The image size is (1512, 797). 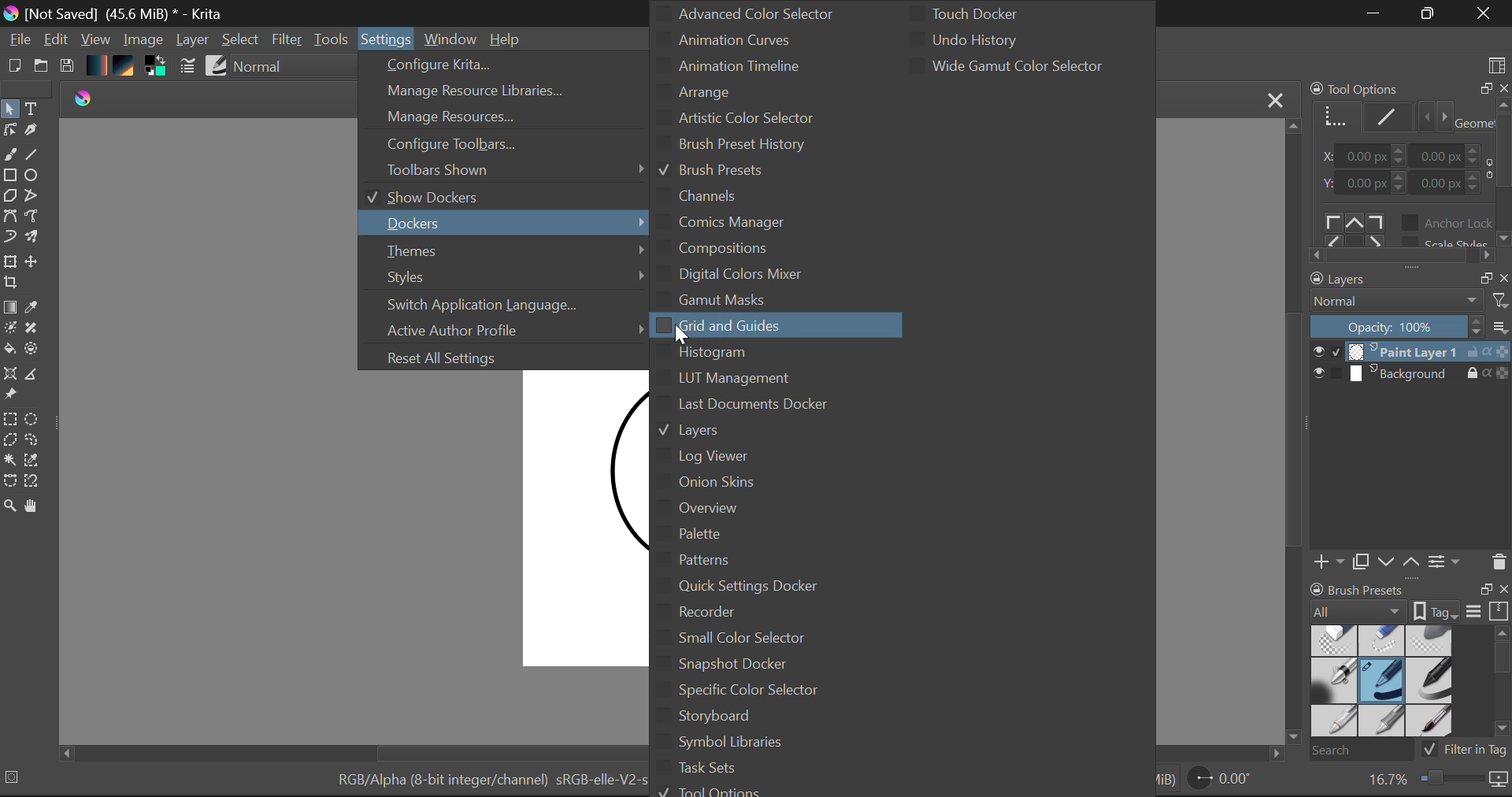 I want to click on Fill, so click(x=9, y=350).